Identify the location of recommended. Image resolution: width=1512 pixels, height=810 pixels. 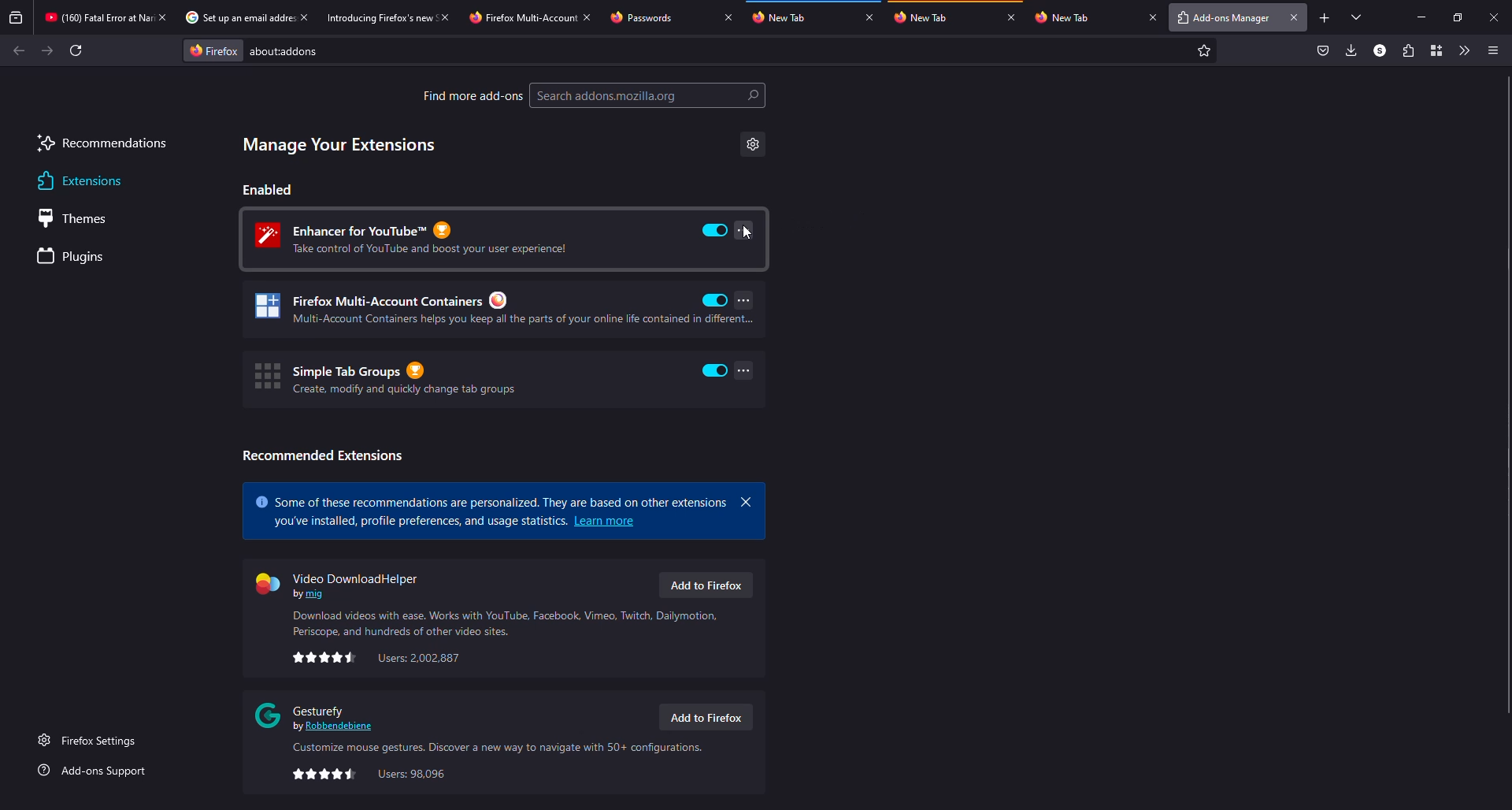
(322, 455).